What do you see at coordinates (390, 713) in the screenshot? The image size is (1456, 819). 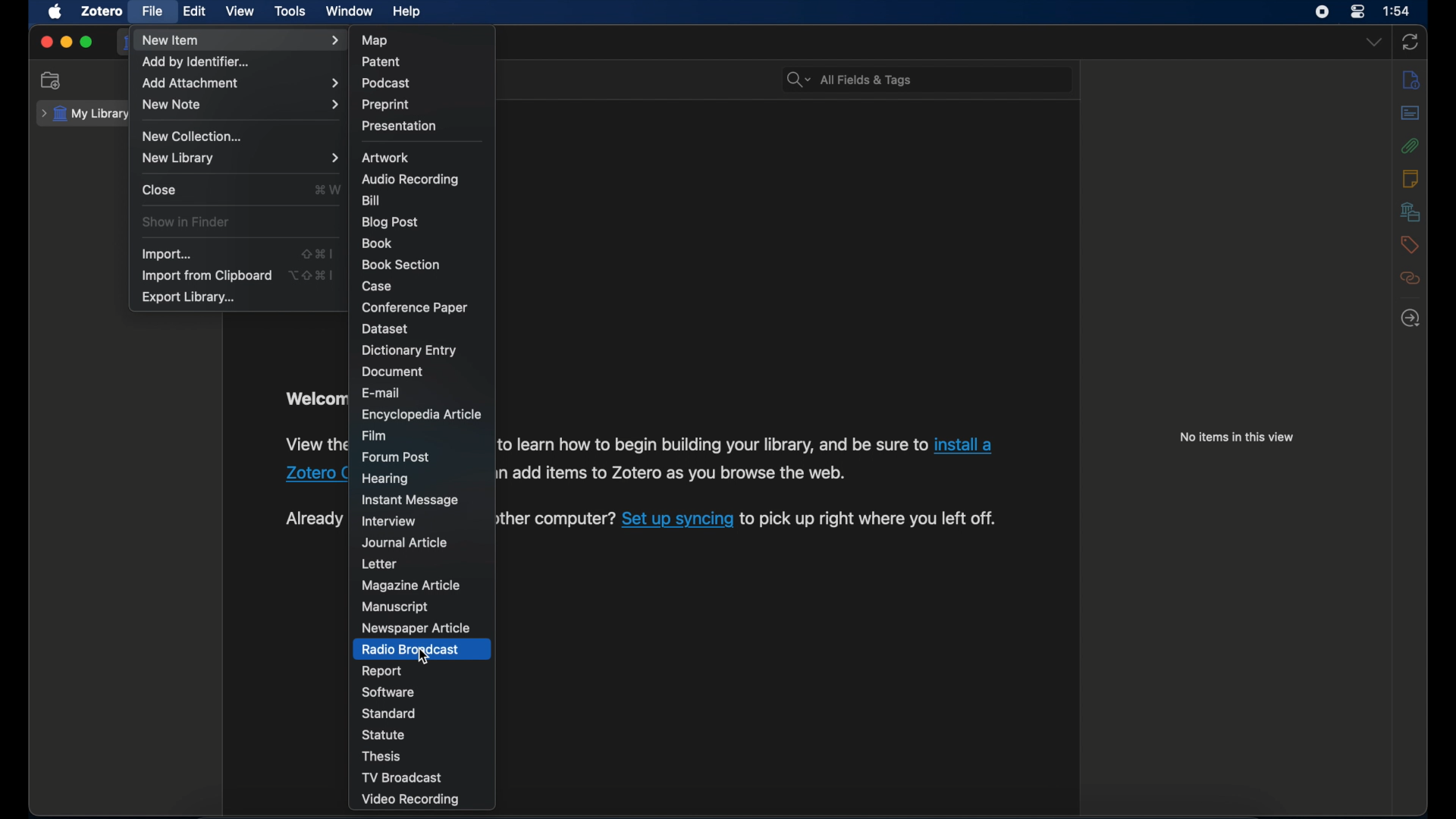 I see `standard` at bounding box center [390, 713].